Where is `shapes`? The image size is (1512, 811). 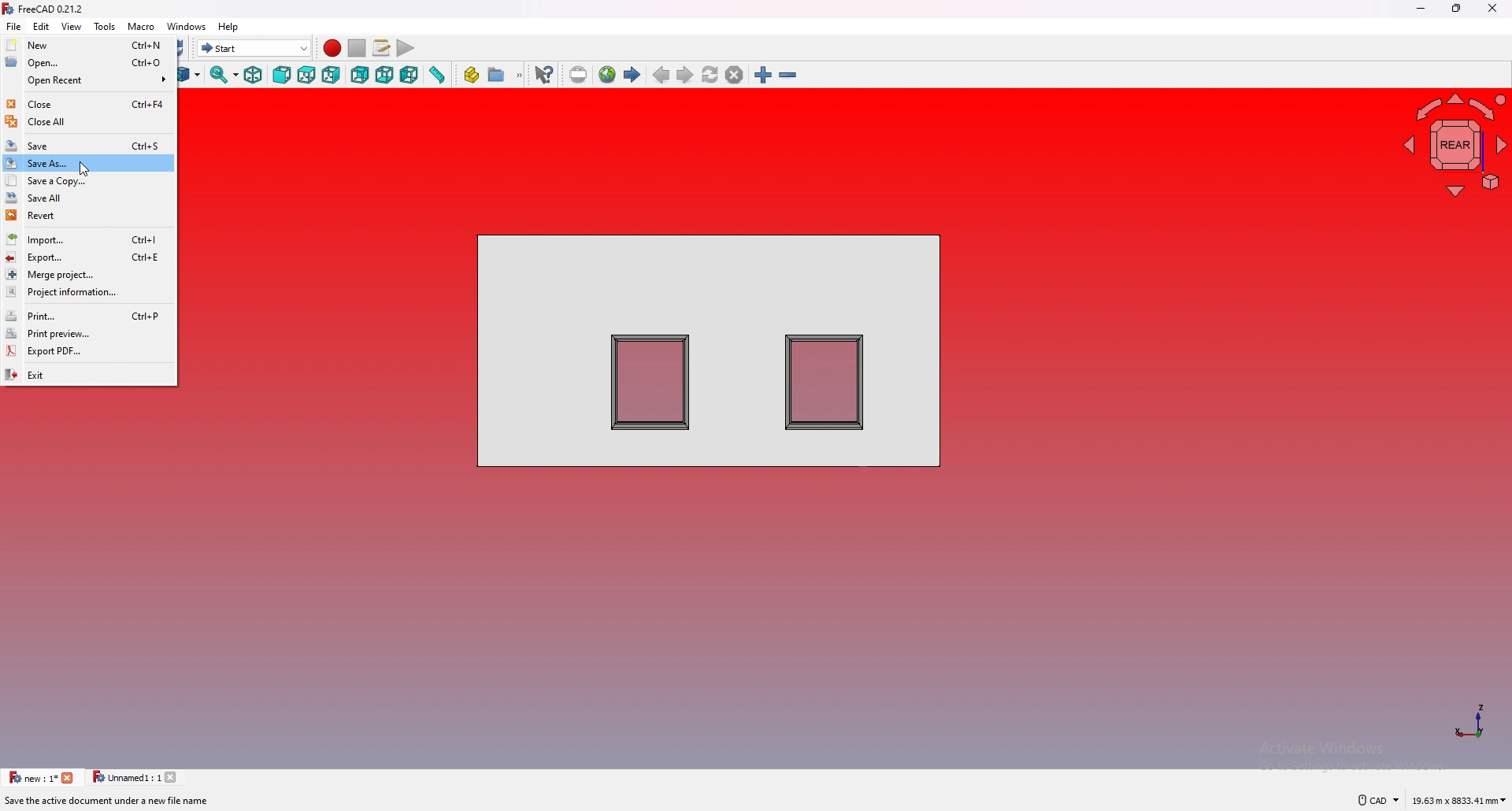
shapes is located at coordinates (709, 350).